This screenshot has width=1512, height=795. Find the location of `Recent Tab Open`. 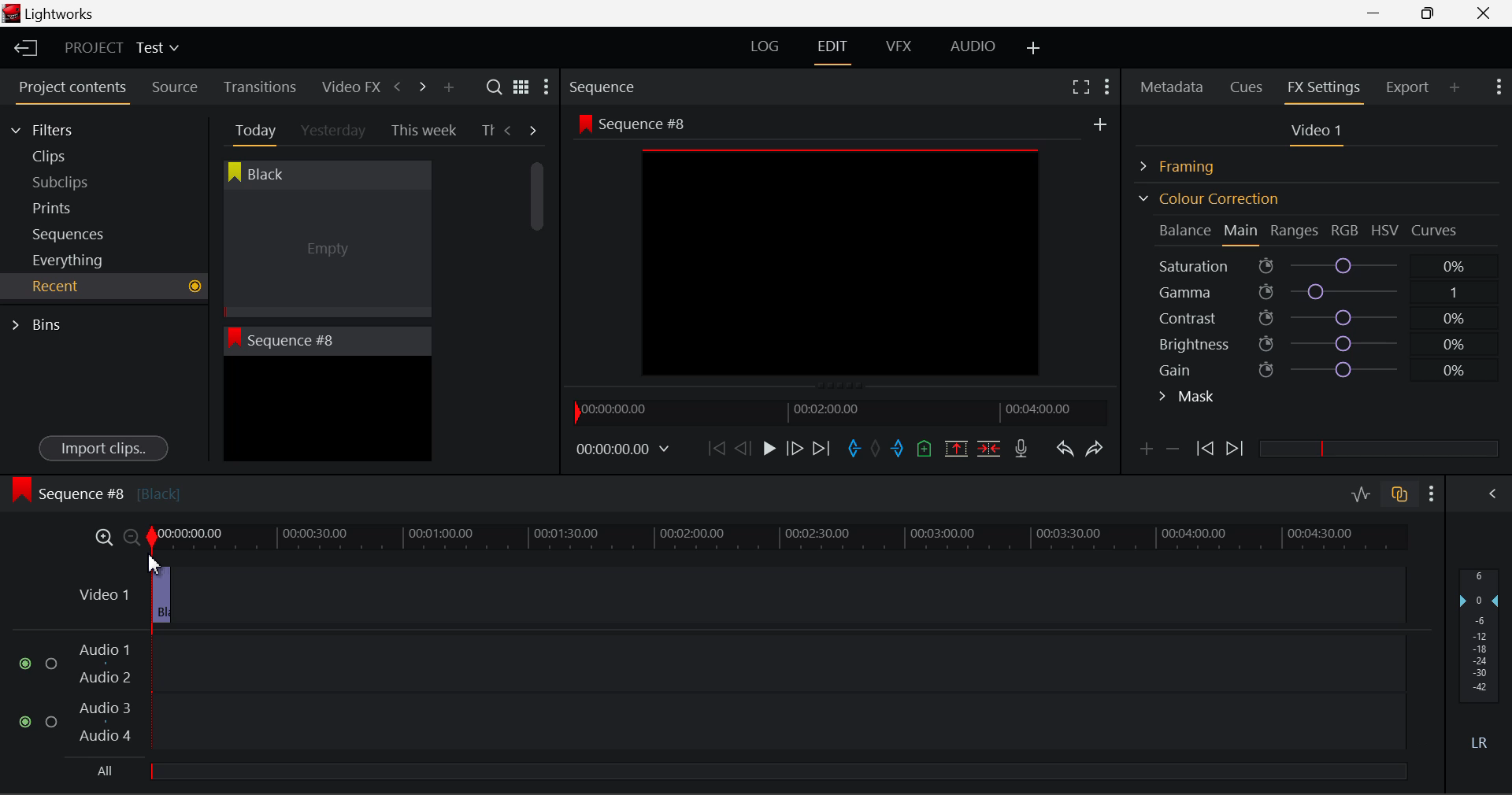

Recent Tab Open is located at coordinates (104, 287).